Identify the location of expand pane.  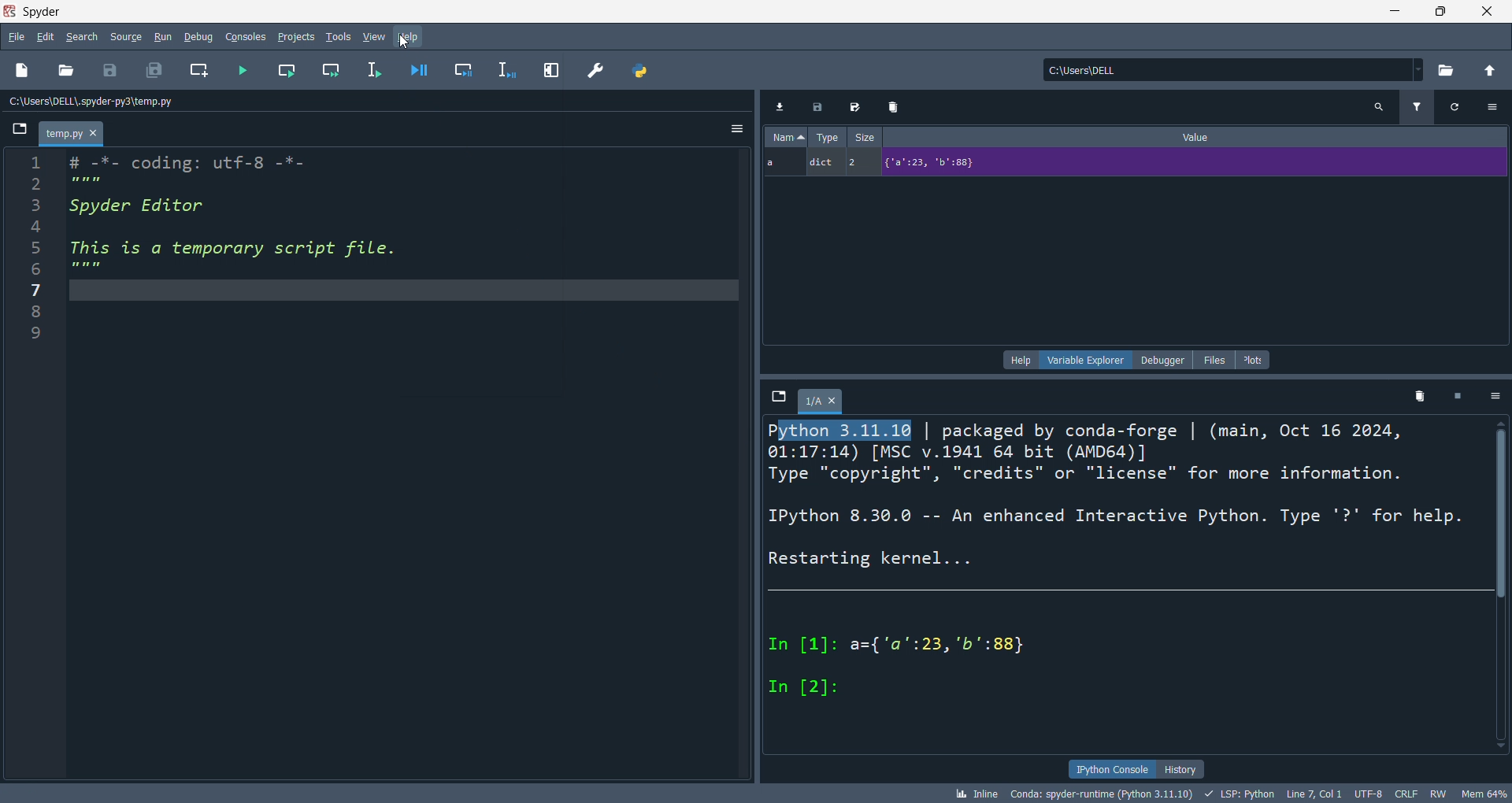
(553, 71).